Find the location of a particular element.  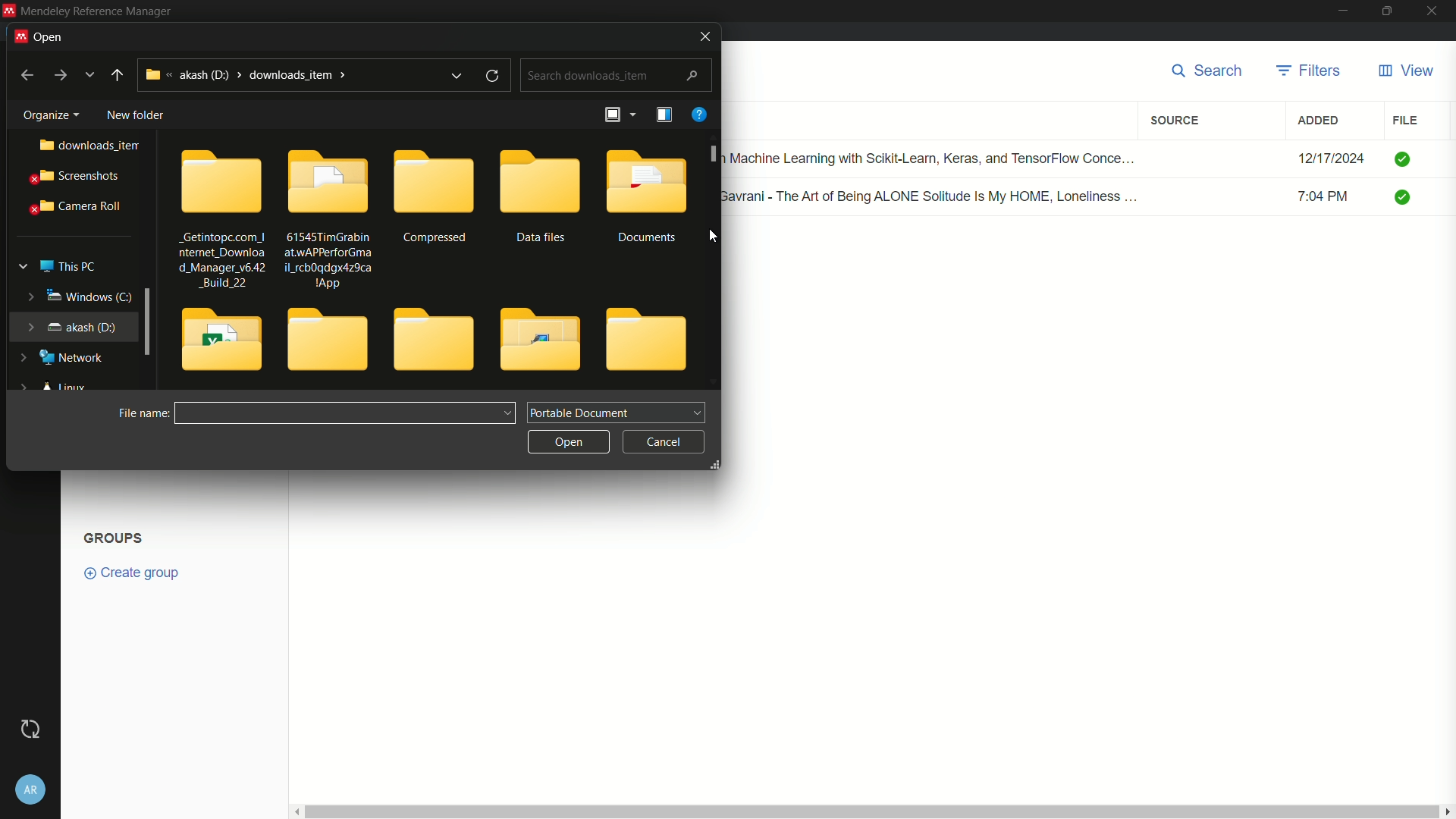

7:04 PM is located at coordinates (1332, 199).